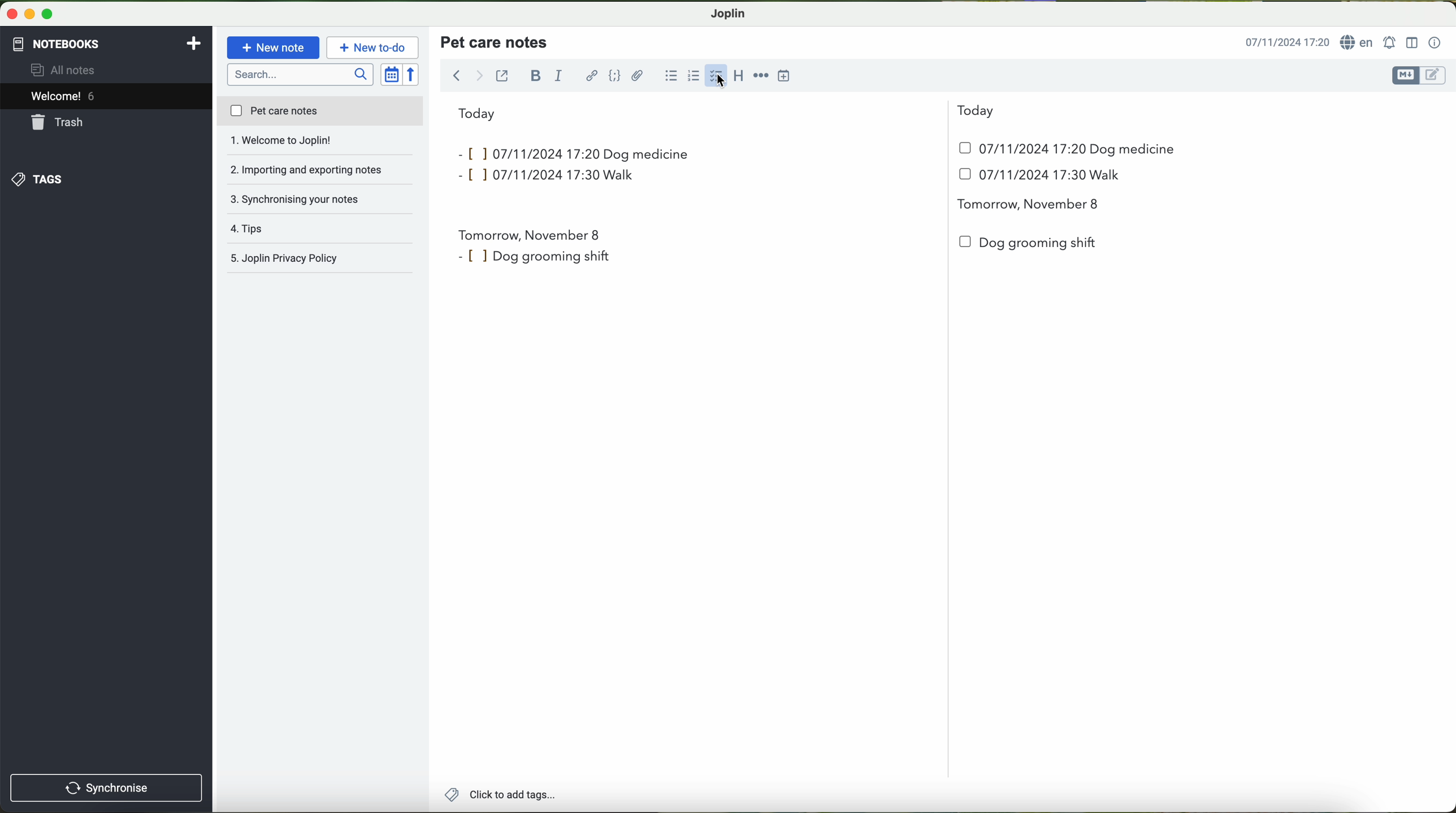 Image resolution: width=1456 pixels, height=813 pixels. Describe the element at coordinates (593, 77) in the screenshot. I see `hyperlink` at that location.